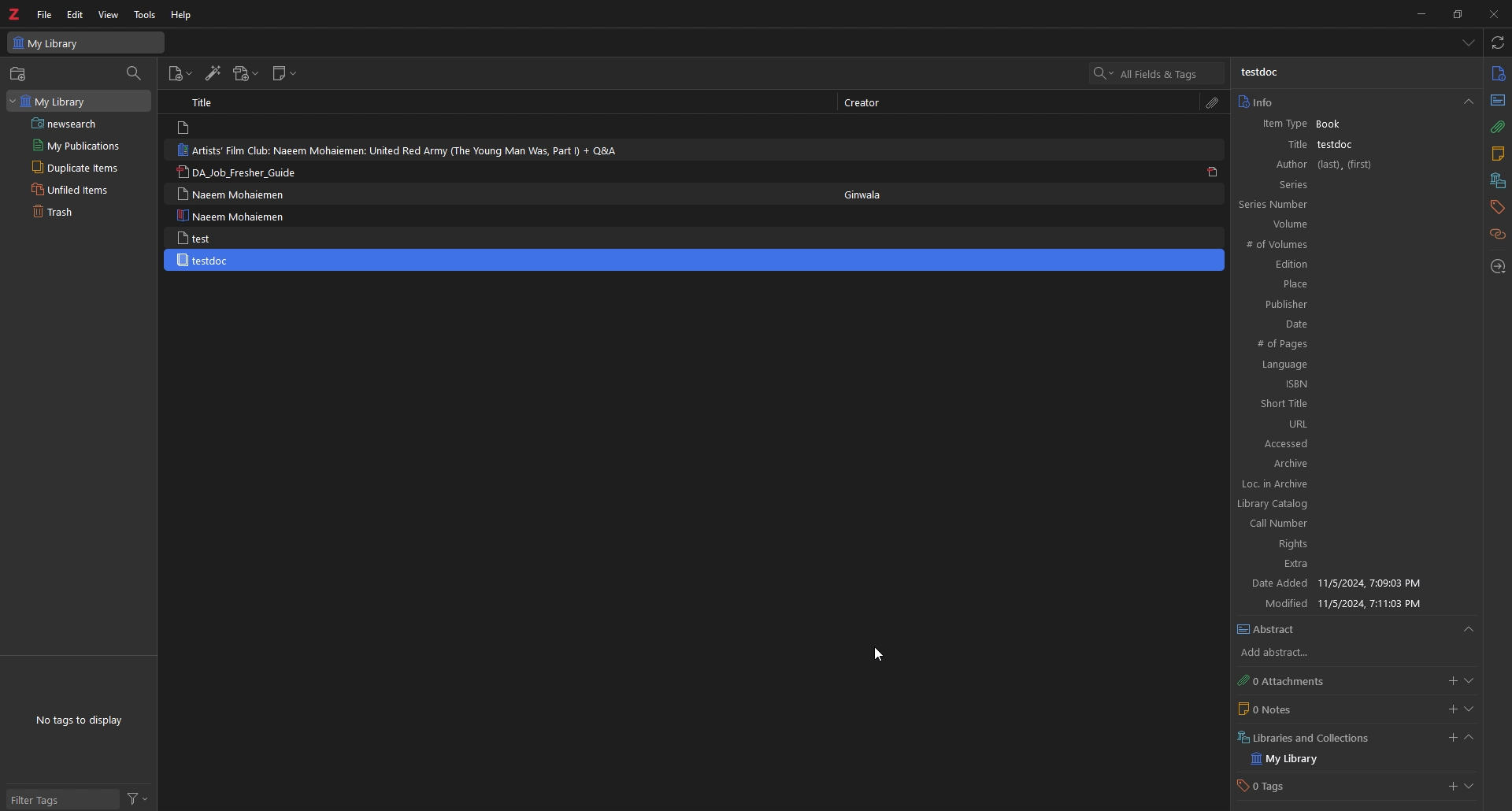 This screenshot has width=1512, height=811. What do you see at coordinates (1353, 603) in the screenshot?
I see `Modified 11/5/2024, 7:11:03 PM` at bounding box center [1353, 603].